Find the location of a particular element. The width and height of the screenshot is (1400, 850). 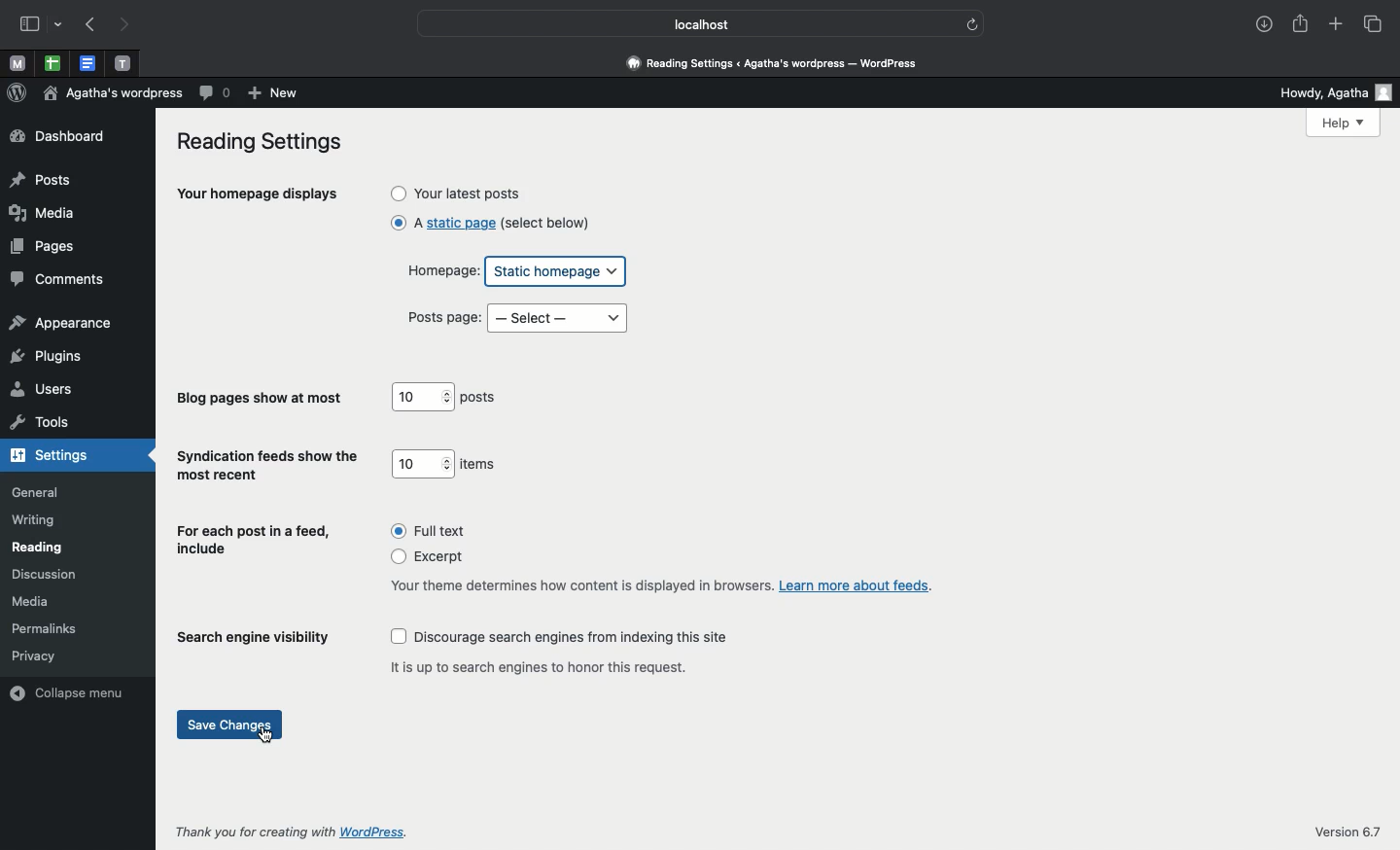

Wordpress name is located at coordinates (115, 92).